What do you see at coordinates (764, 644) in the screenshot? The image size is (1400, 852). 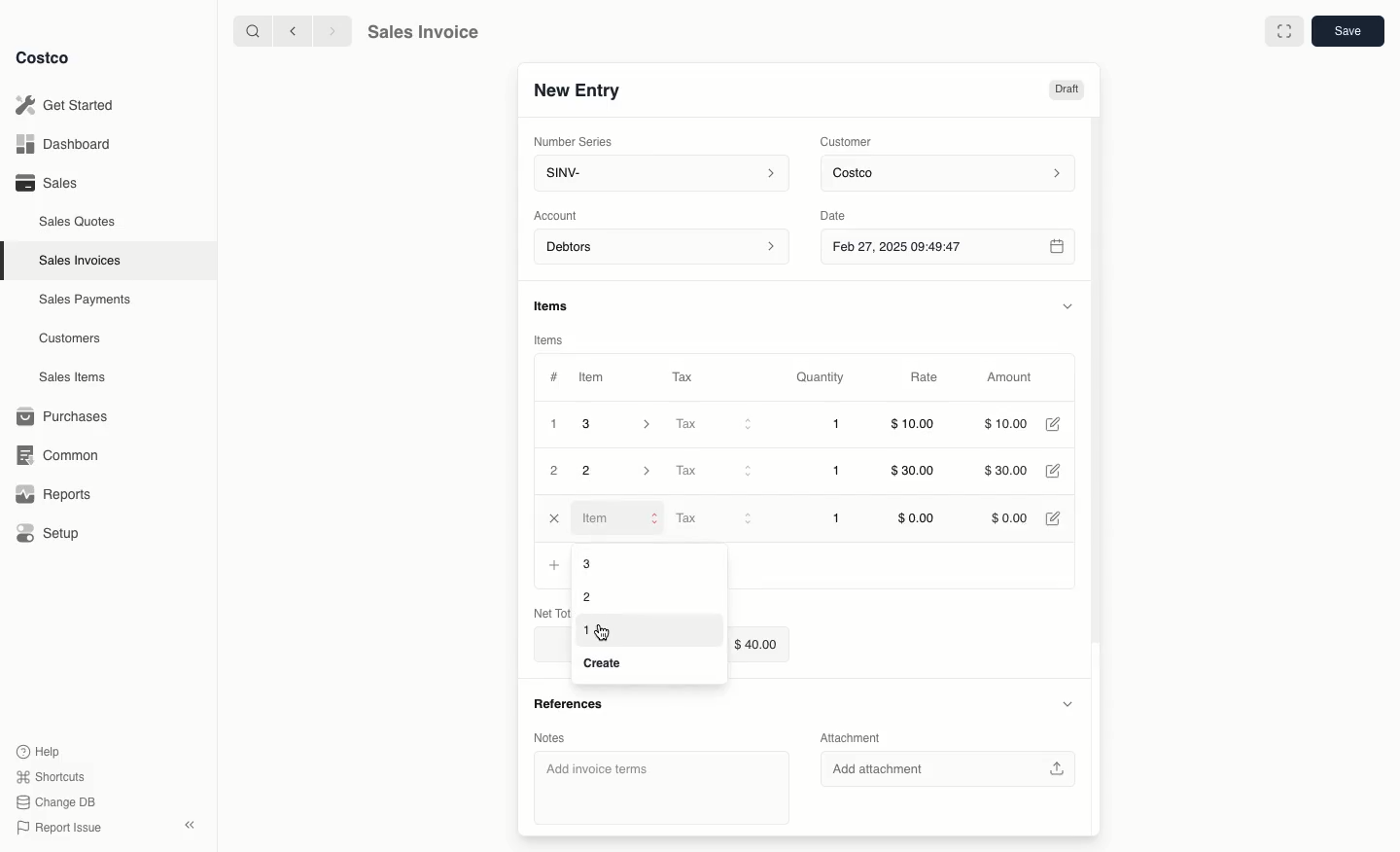 I see `$40.00` at bounding box center [764, 644].